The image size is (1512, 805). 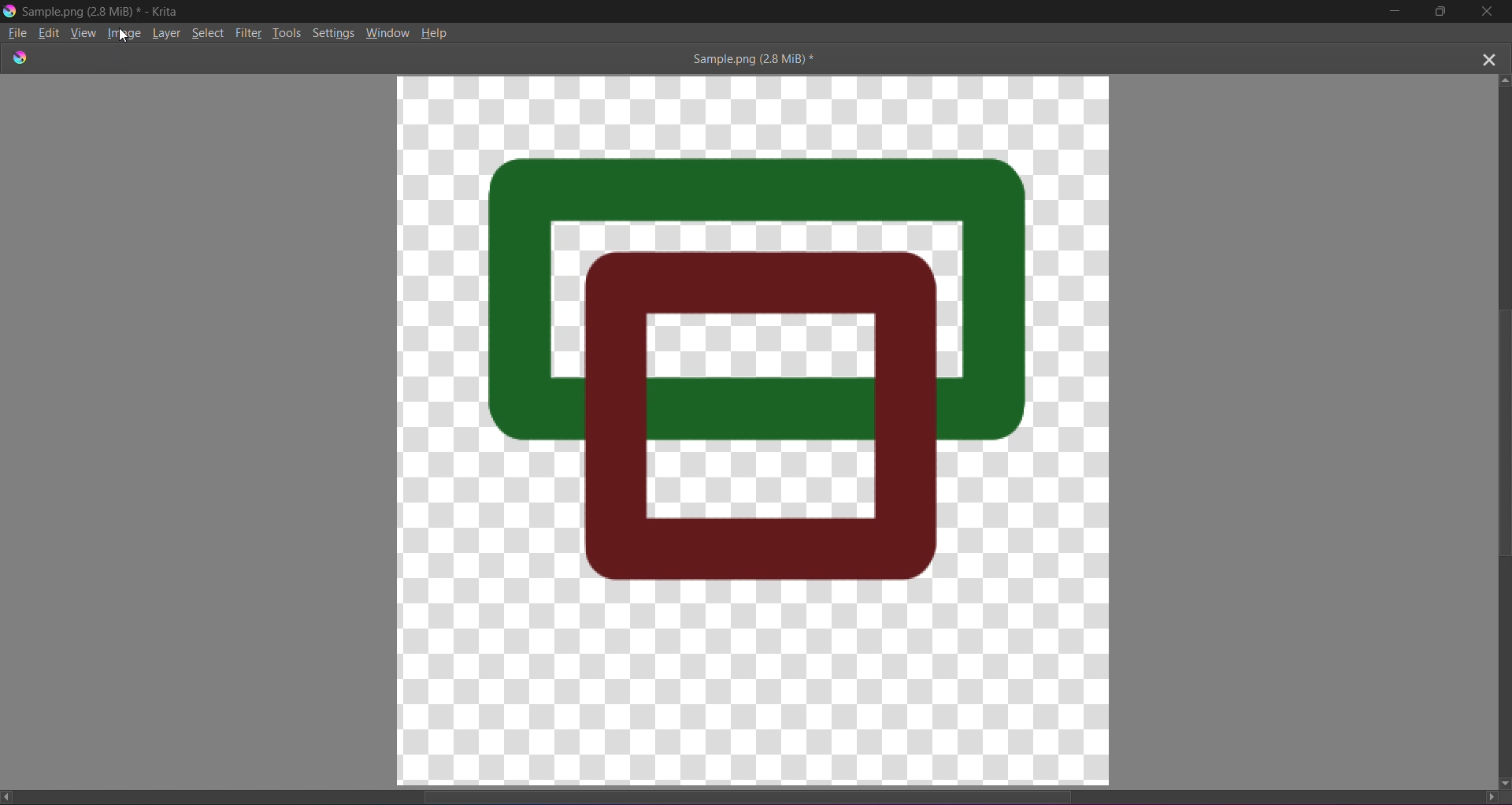 What do you see at coordinates (250, 32) in the screenshot?
I see `Filter` at bounding box center [250, 32].